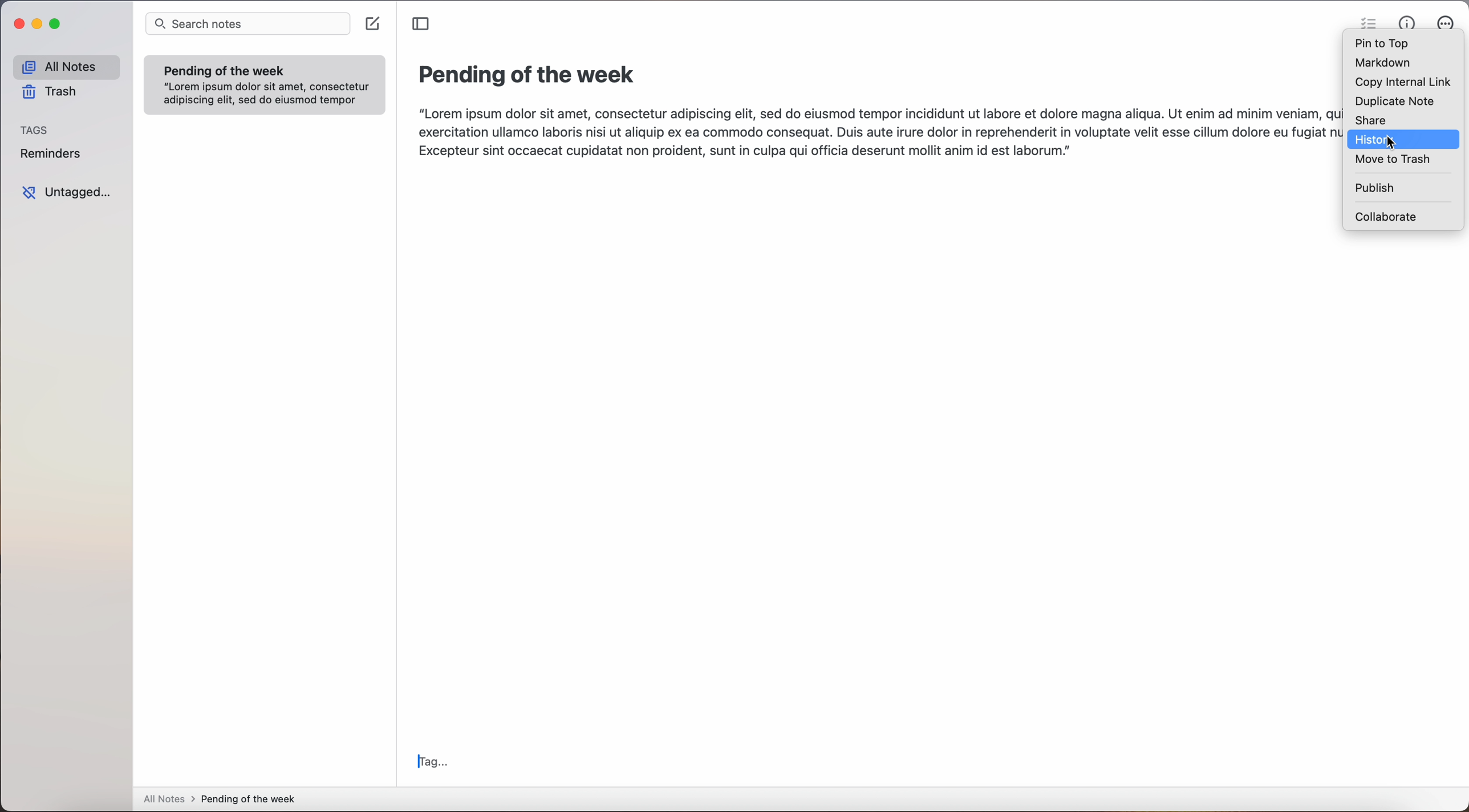 The width and height of the screenshot is (1469, 812). Describe the element at coordinates (1409, 22) in the screenshot. I see `metrics` at that location.